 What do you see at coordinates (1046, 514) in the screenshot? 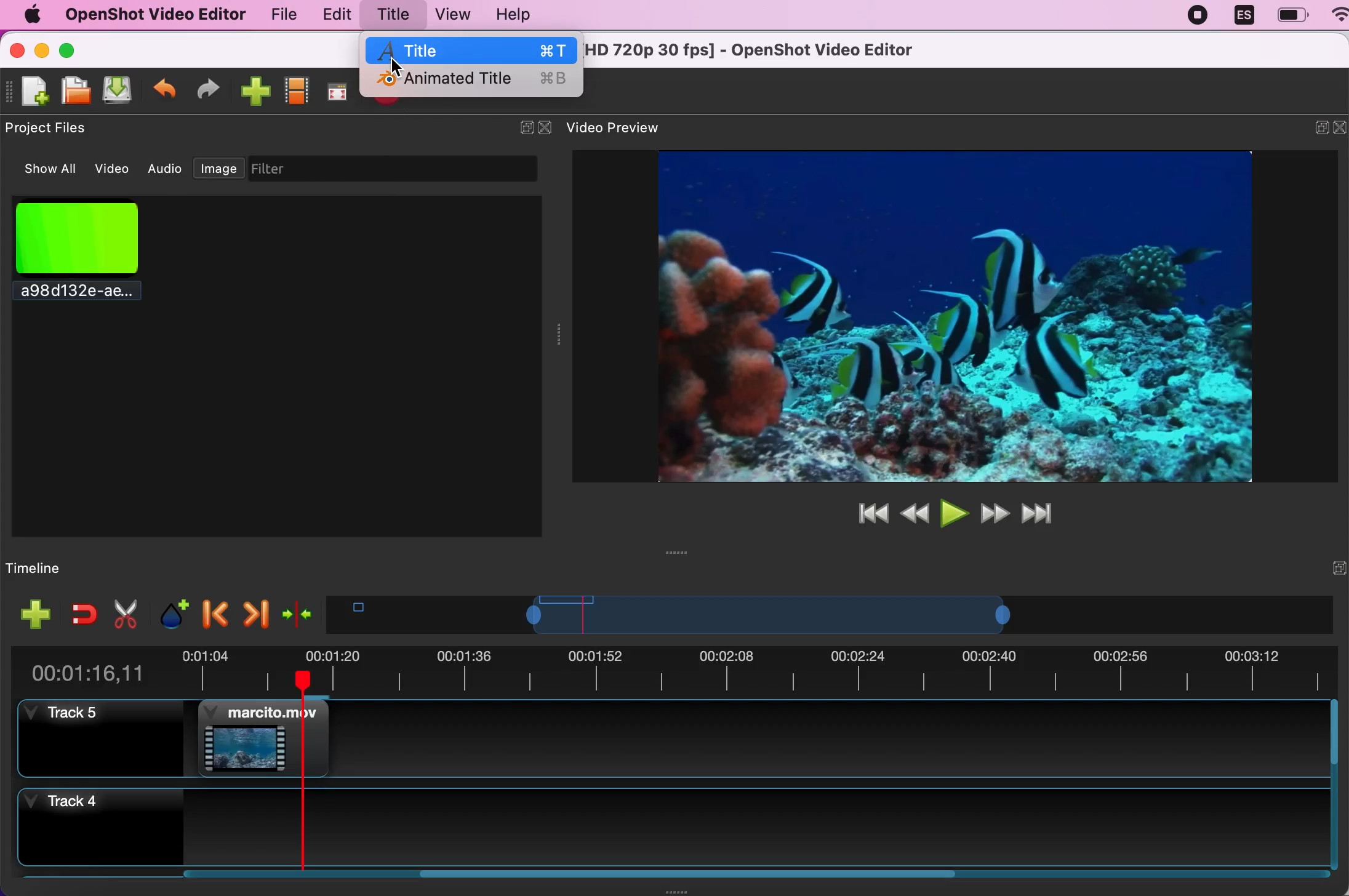
I see `jump to end` at bounding box center [1046, 514].